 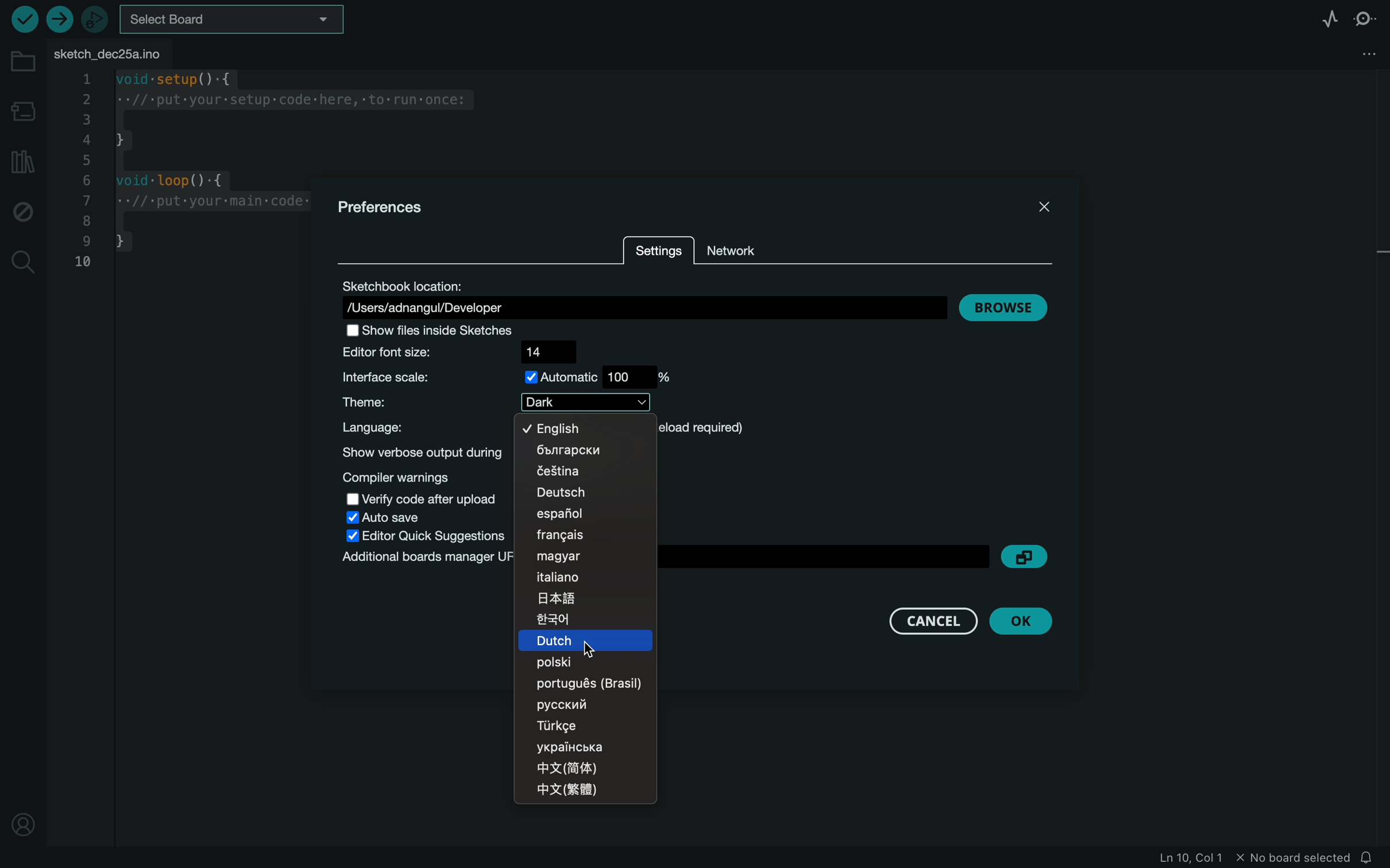 What do you see at coordinates (24, 264) in the screenshot?
I see `search` at bounding box center [24, 264].